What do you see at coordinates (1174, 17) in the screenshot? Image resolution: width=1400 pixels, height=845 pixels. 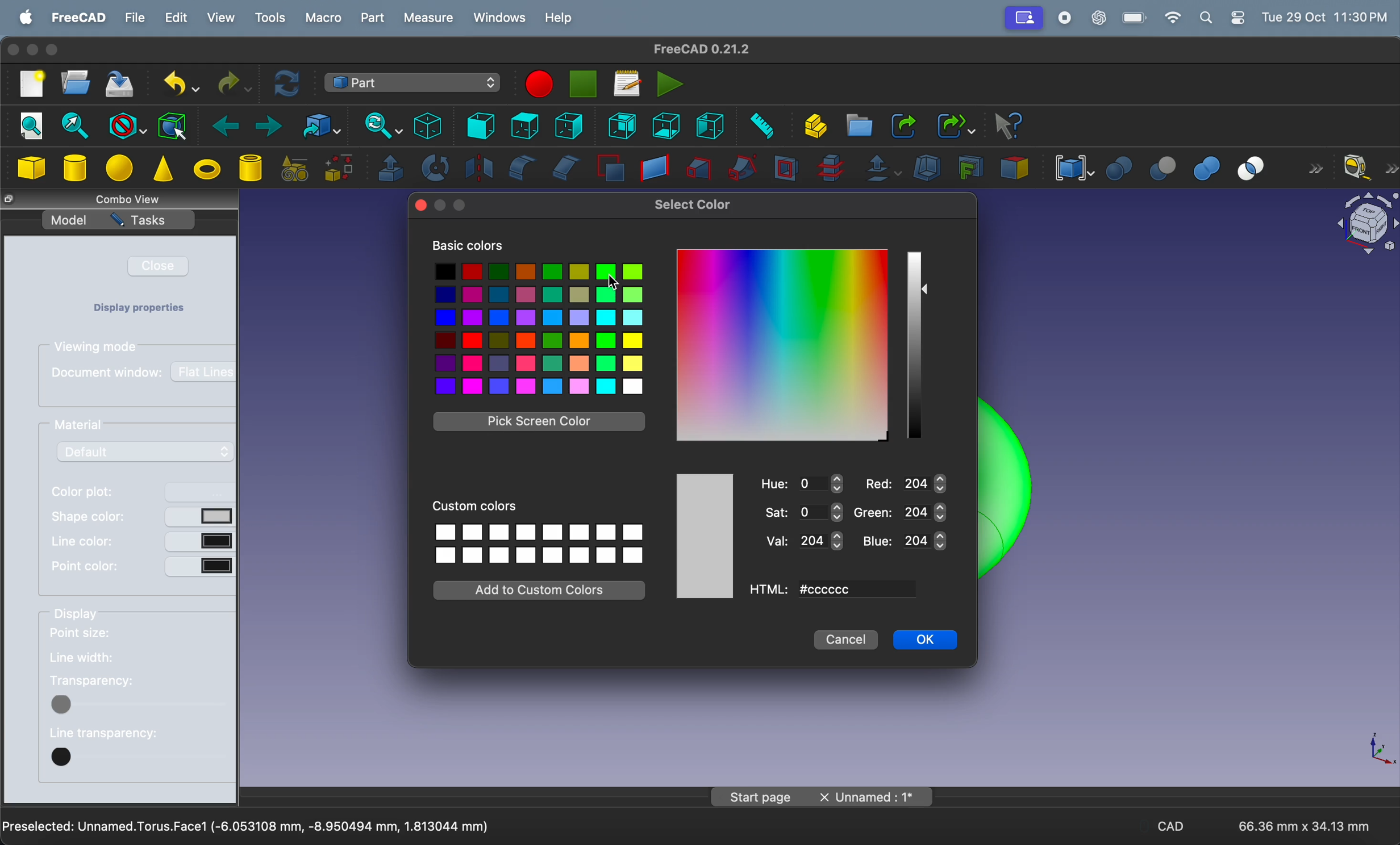 I see `wifi` at bounding box center [1174, 17].